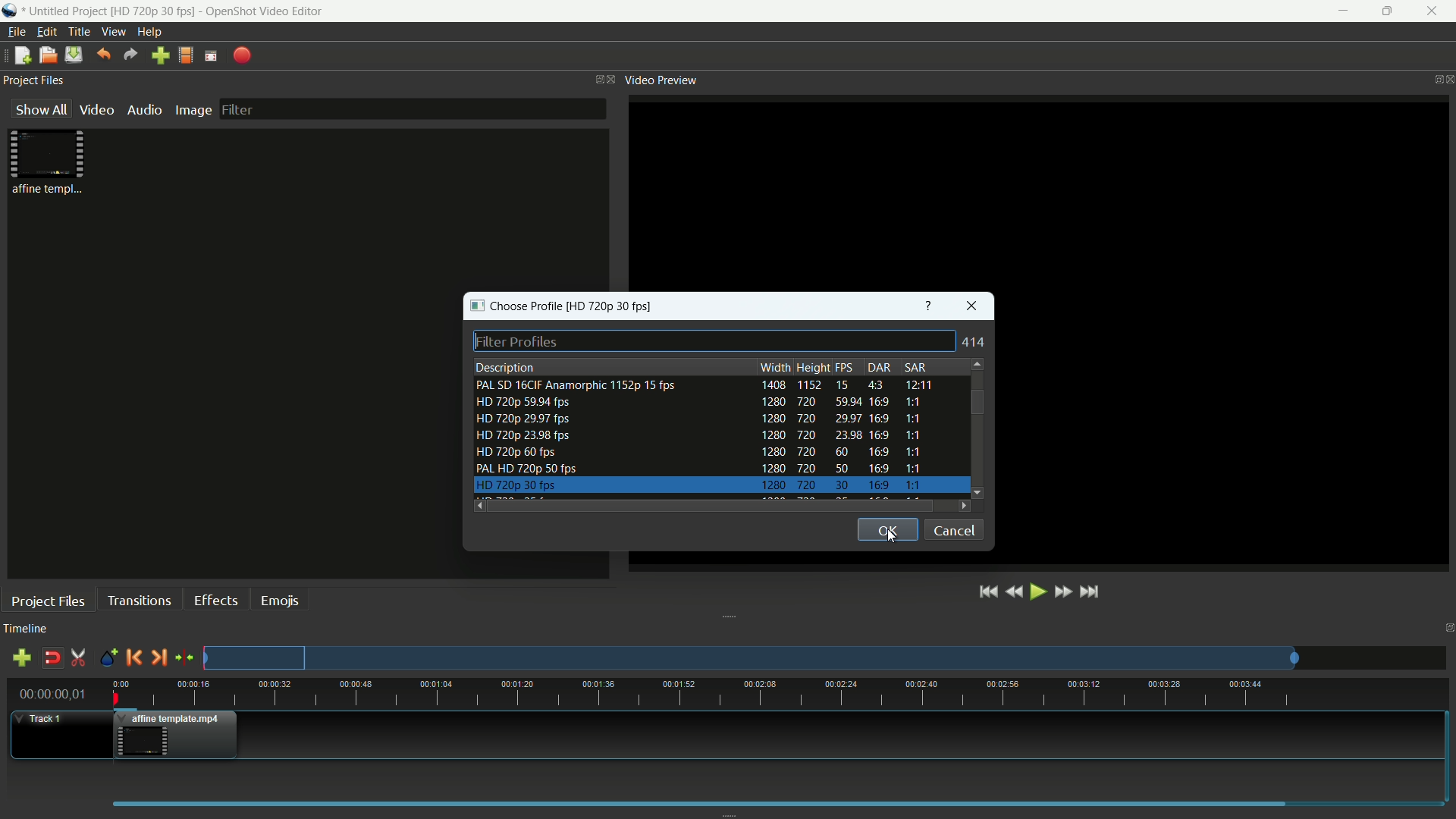 The height and width of the screenshot is (819, 1456). What do you see at coordinates (845, 368) in the screenshot?
I see `fps` at bounding box center [845, 368].